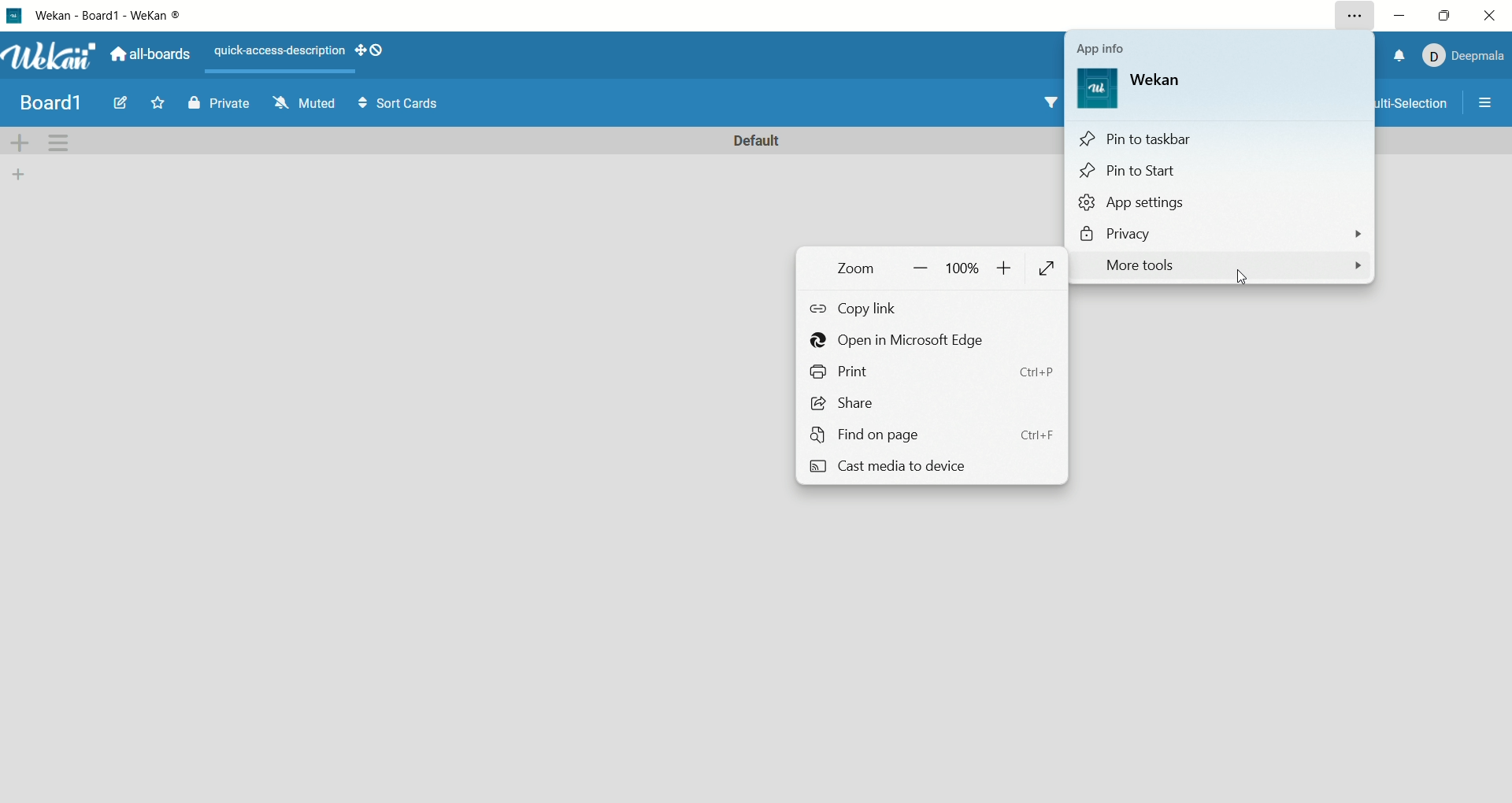 This screenshot has width=1512, height=803. Describe the element at coordinates (1051, 272) in the screenshot. I see `fit to screen` at that location.